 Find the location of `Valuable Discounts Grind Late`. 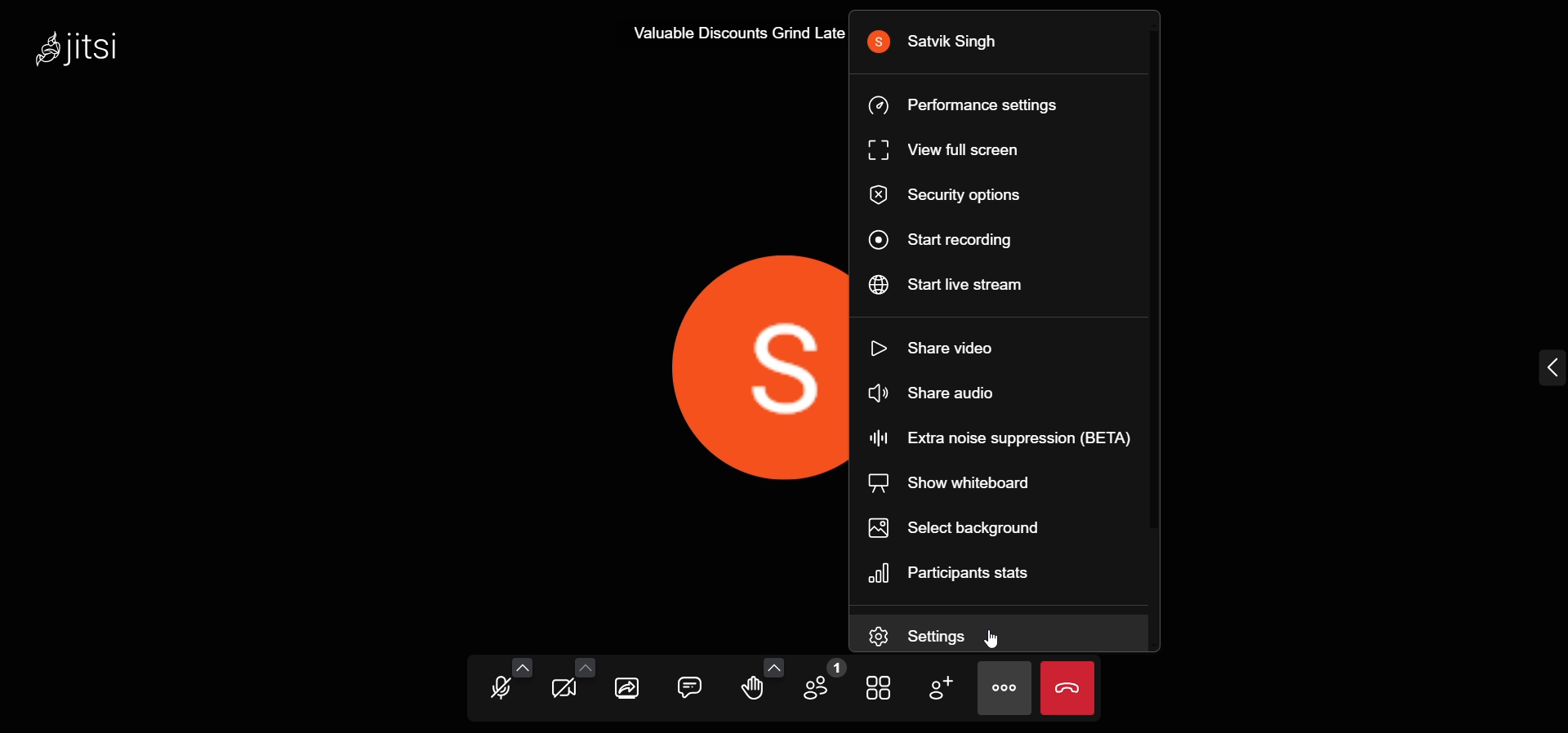

Valuable Discounts Grind Late is located at coordinates (734, 35).